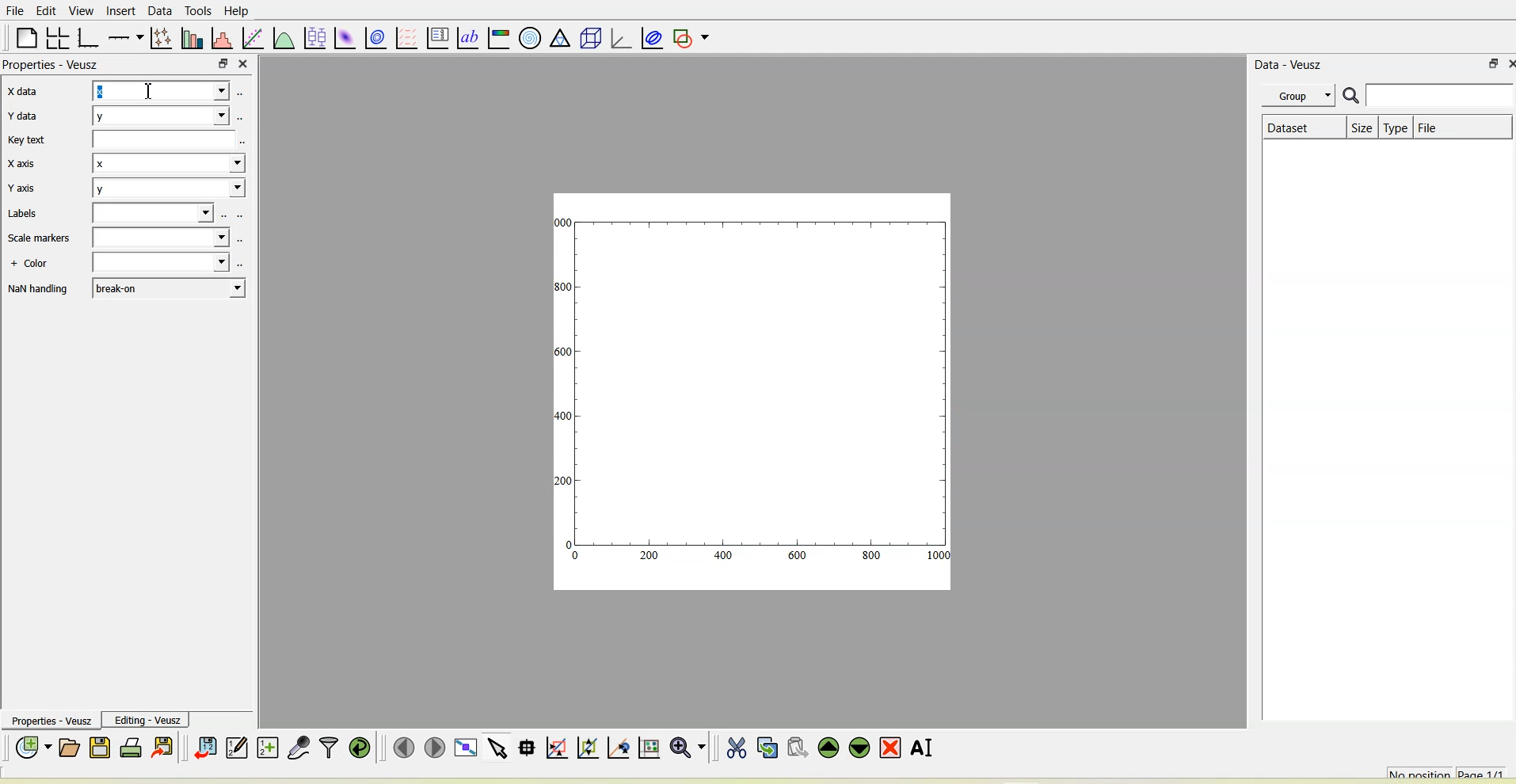 This screenshot has height=784, width=1516. What do you see at coordinates (38, 289) in the screenshot?
I see `NaN handling` at bounding box center [38, 289].